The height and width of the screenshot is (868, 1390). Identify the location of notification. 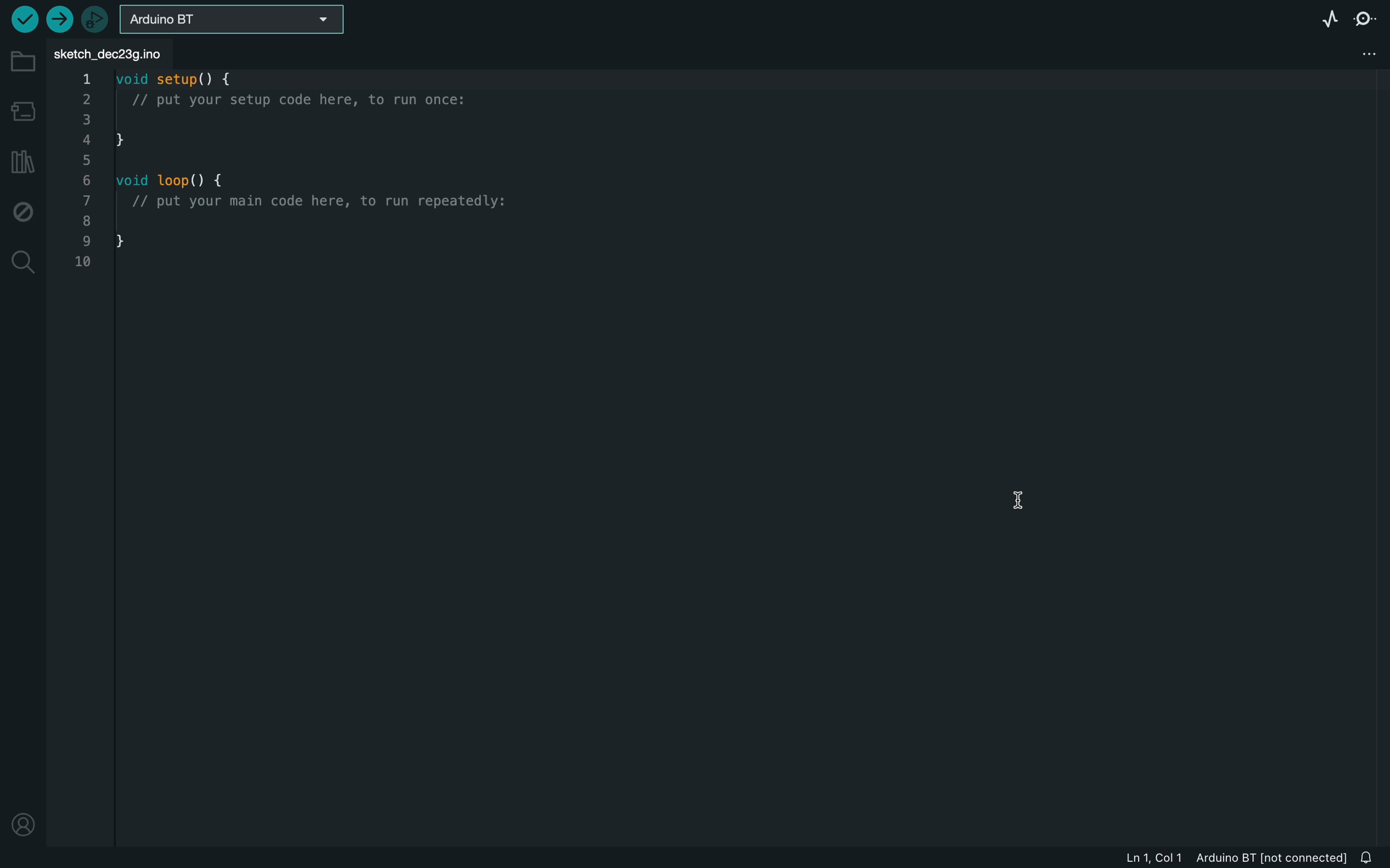
(1369, 857).